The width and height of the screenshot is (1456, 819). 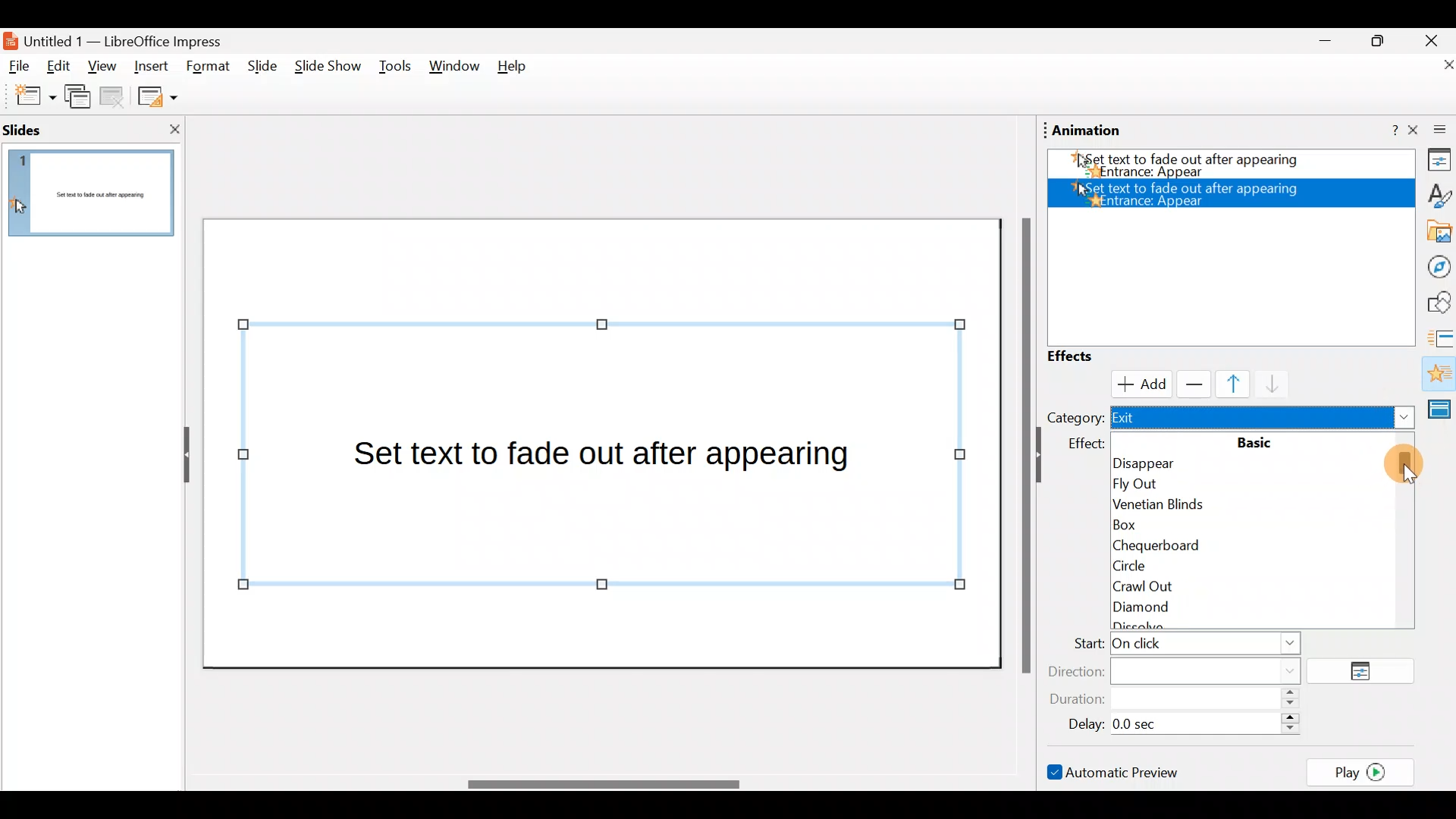 I want to click on Venetian blinds, so click(x=1193, y=503).